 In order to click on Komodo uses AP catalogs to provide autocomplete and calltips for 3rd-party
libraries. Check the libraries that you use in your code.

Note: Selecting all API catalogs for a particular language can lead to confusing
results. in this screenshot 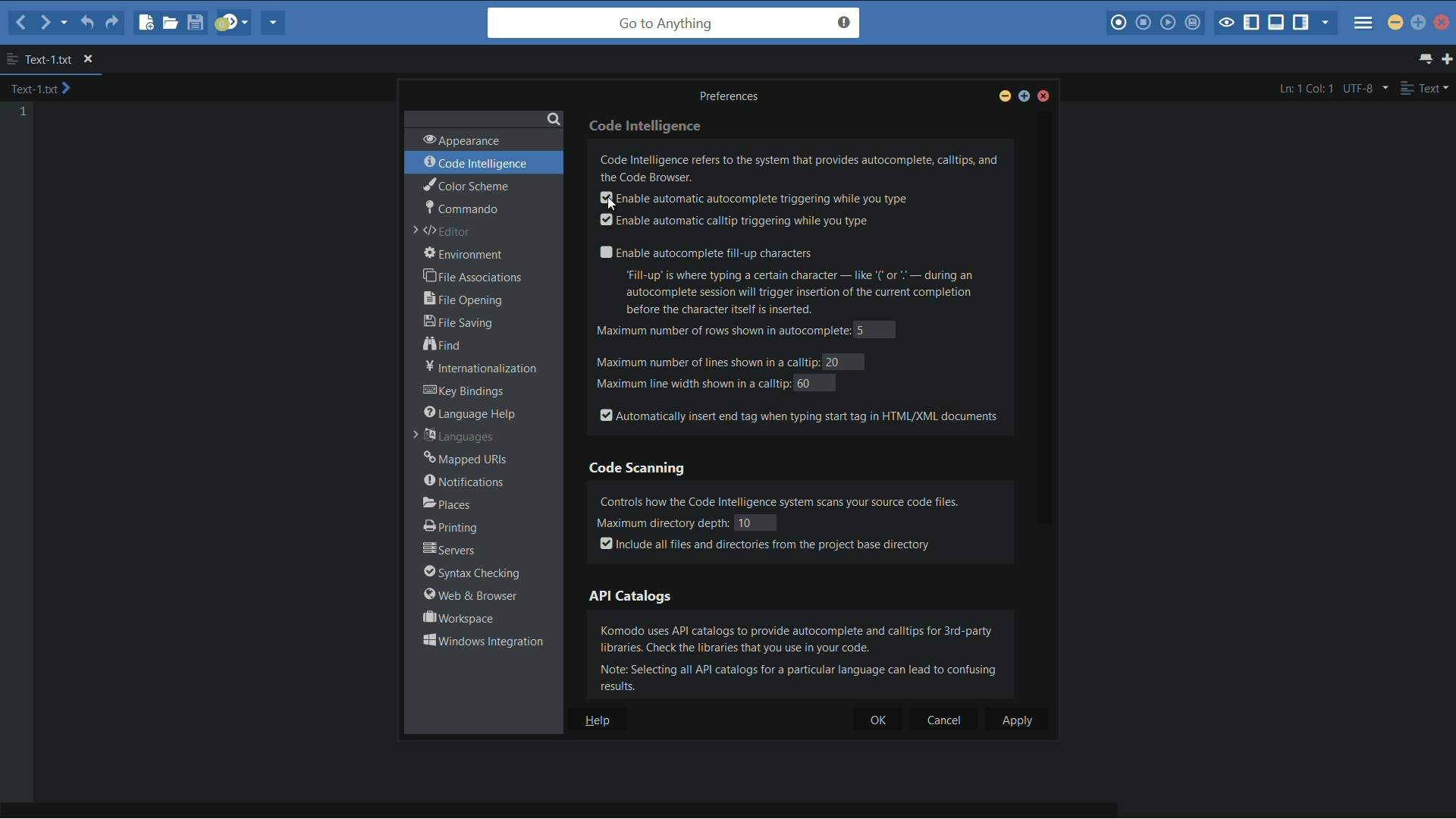, I will do `click(808, 657)`.